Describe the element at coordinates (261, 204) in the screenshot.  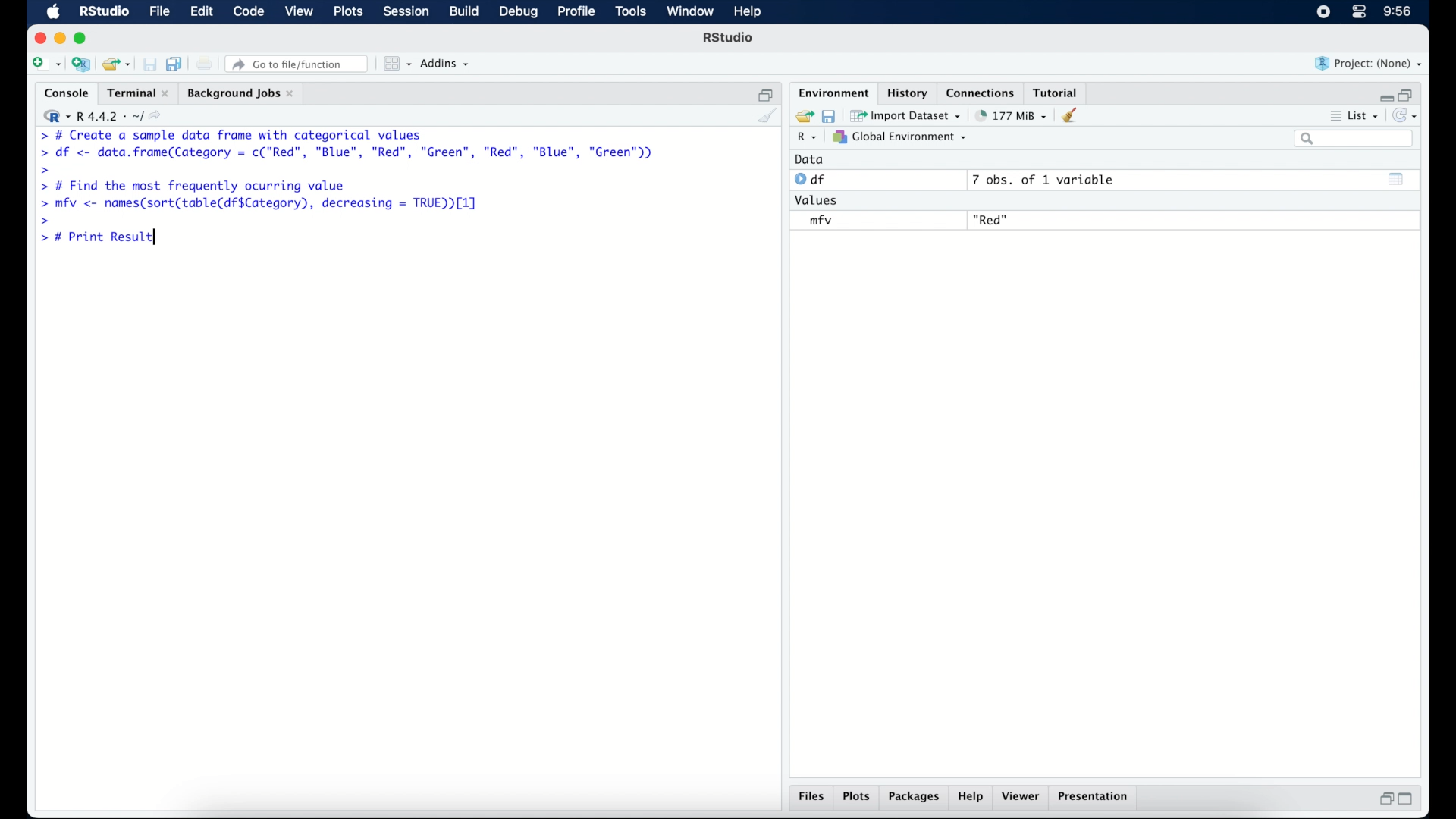
I see `> mfv <- names(sort(table(df$Category), decreasing = TRUE [1]` at that location.